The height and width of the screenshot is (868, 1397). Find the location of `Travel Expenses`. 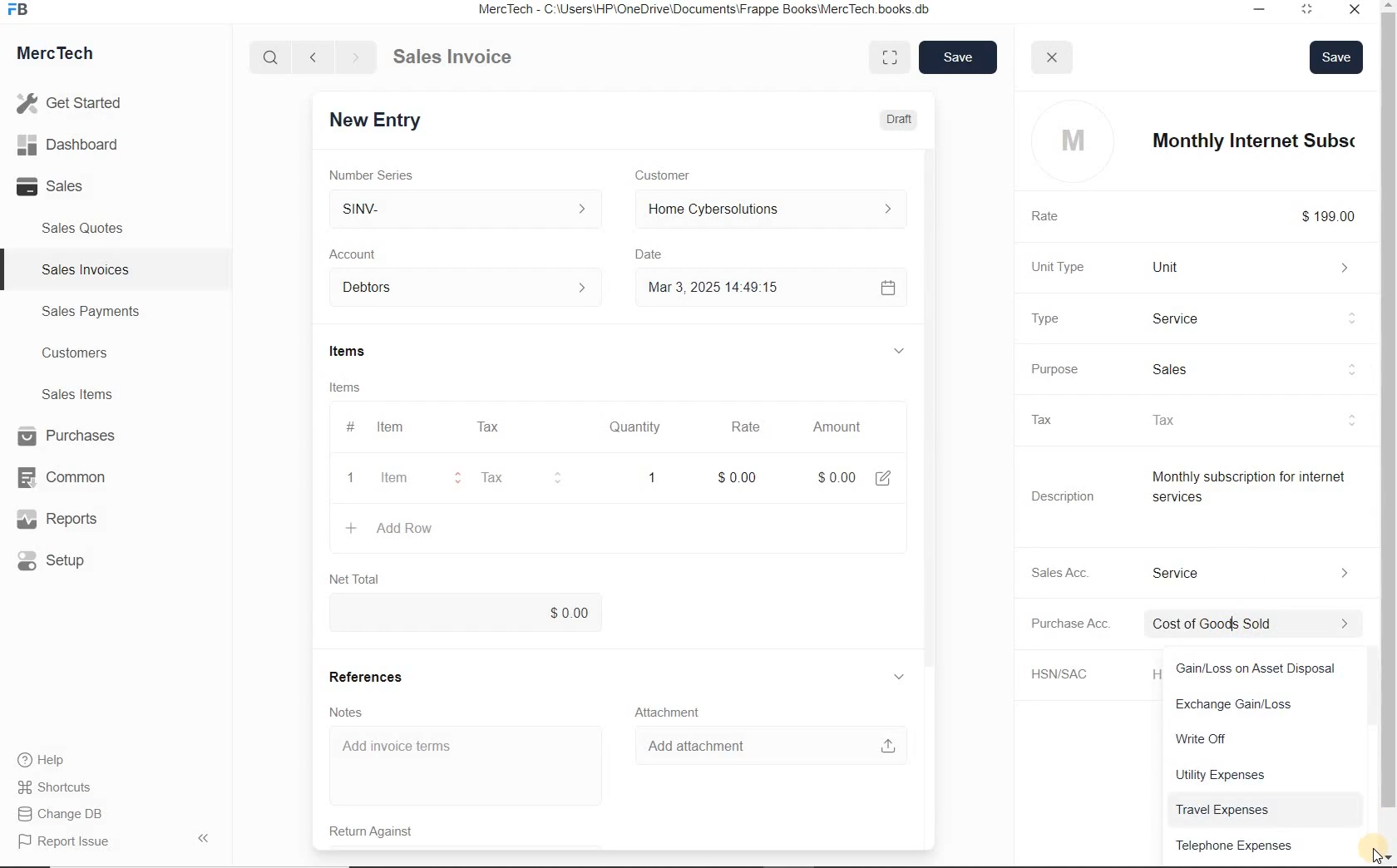

Travel Expenses is located at coordinates (1268, 808).